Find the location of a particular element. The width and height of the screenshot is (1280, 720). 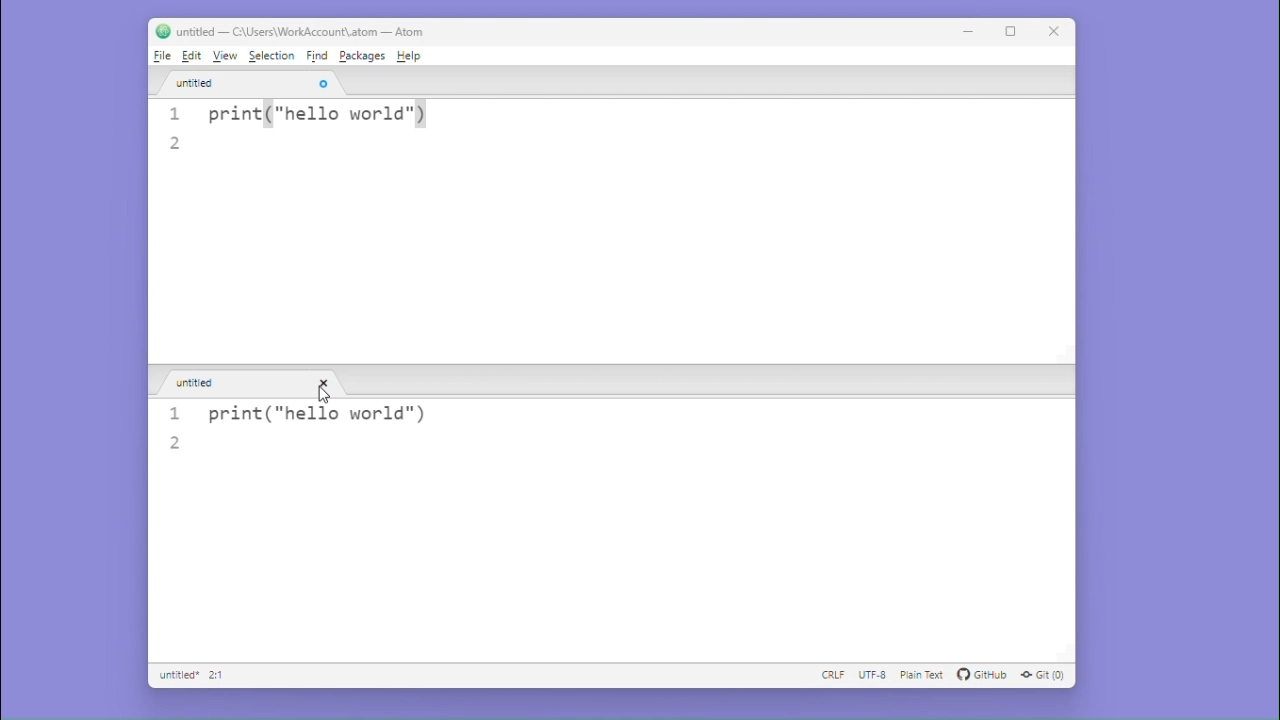

minimise is located at coordinates (975, 30).